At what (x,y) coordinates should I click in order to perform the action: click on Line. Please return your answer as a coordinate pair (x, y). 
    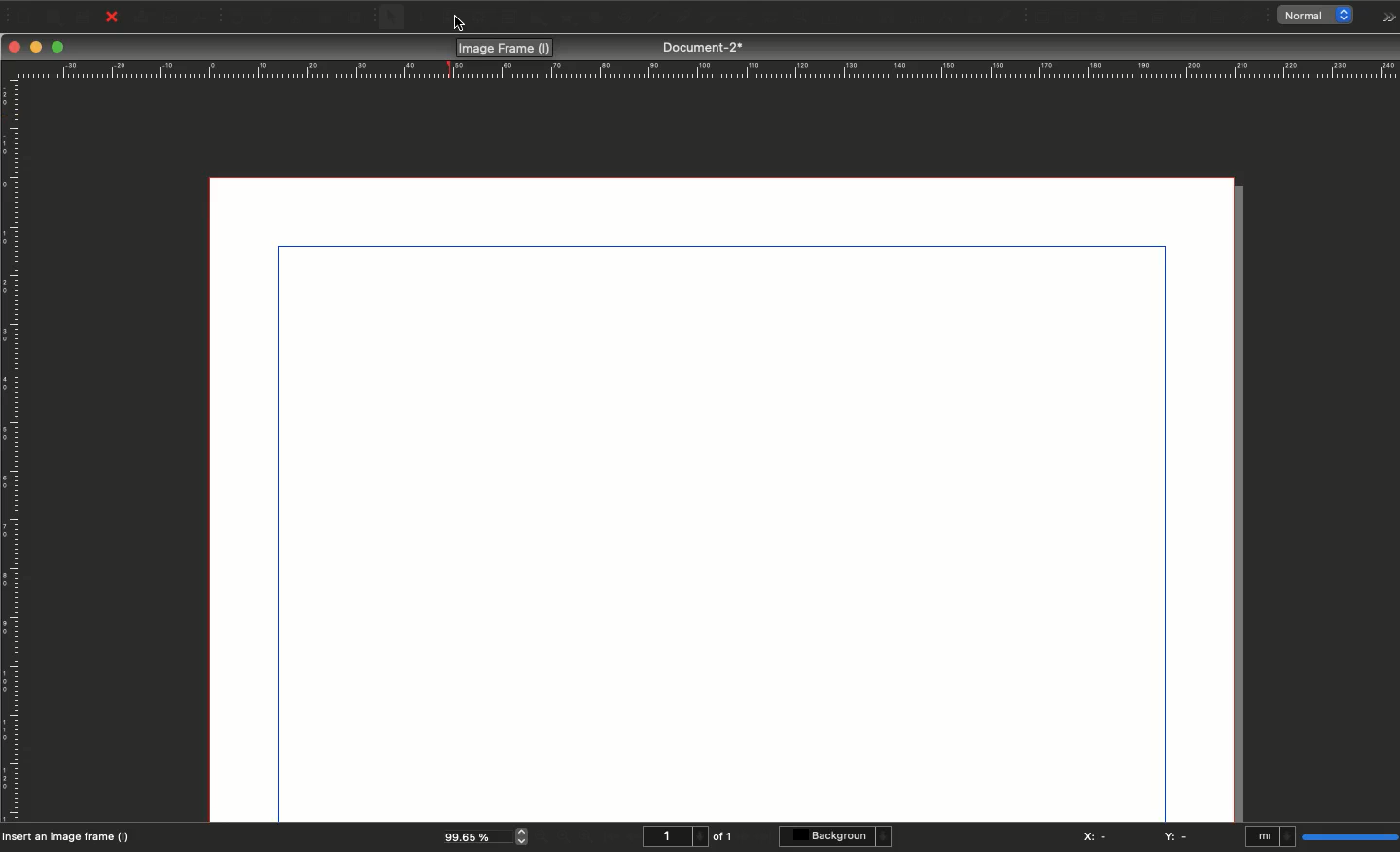
    Looking at the image, I should click on (652, 18).